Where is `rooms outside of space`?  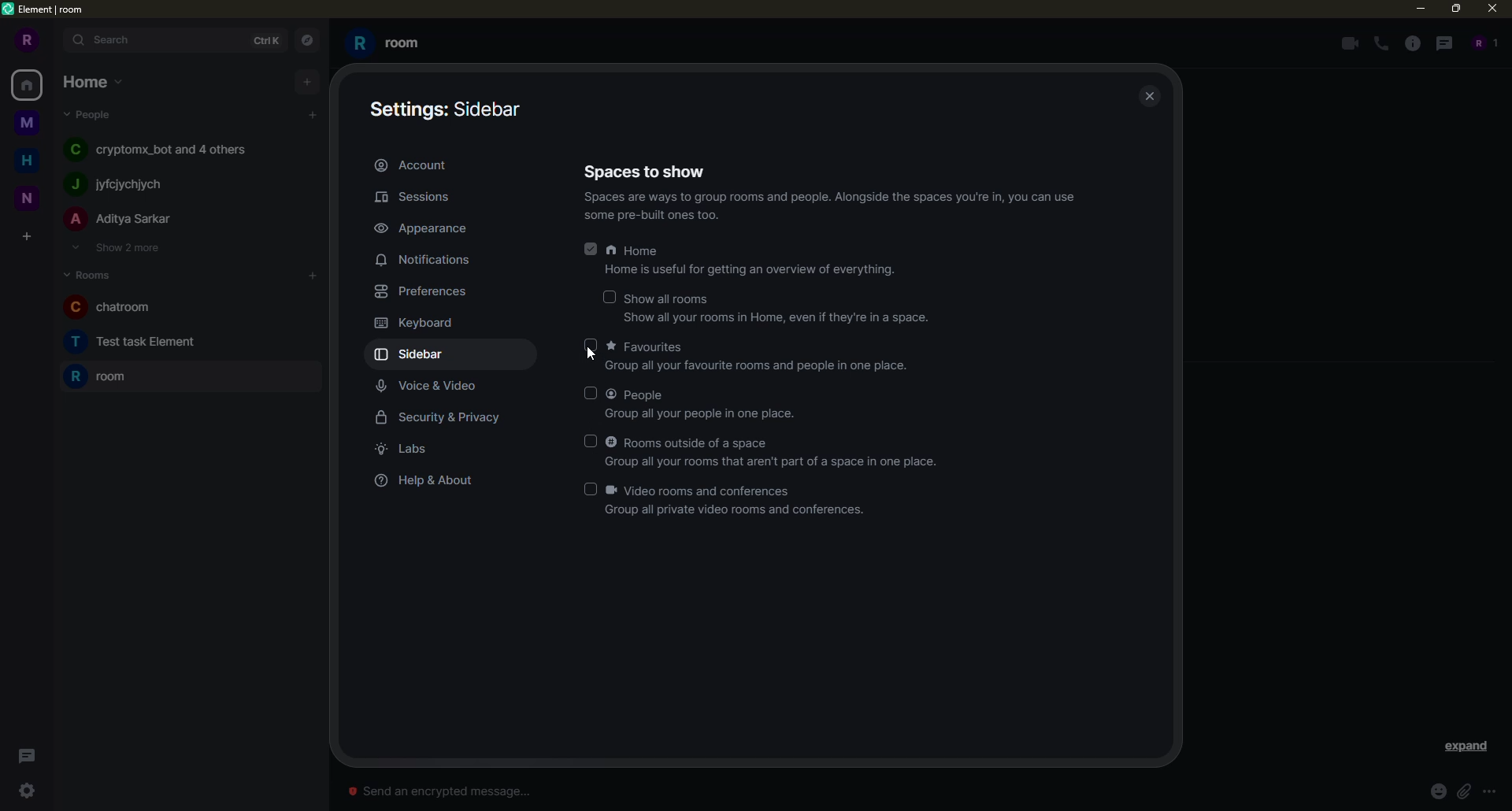 rooms outside of space is located at coordinates (691, 442).